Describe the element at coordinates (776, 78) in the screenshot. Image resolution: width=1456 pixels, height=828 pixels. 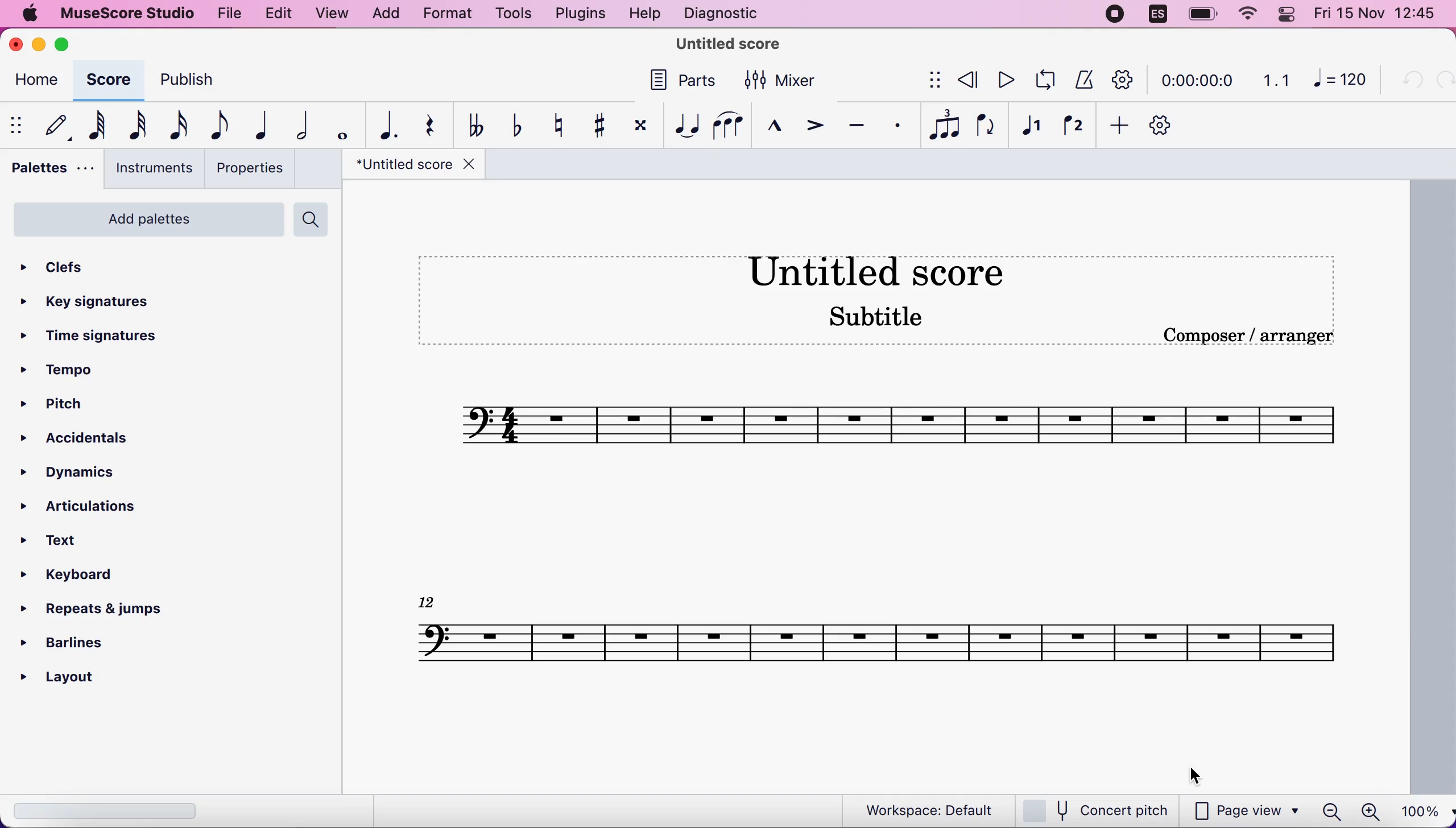
I see `Mixer` at that location.